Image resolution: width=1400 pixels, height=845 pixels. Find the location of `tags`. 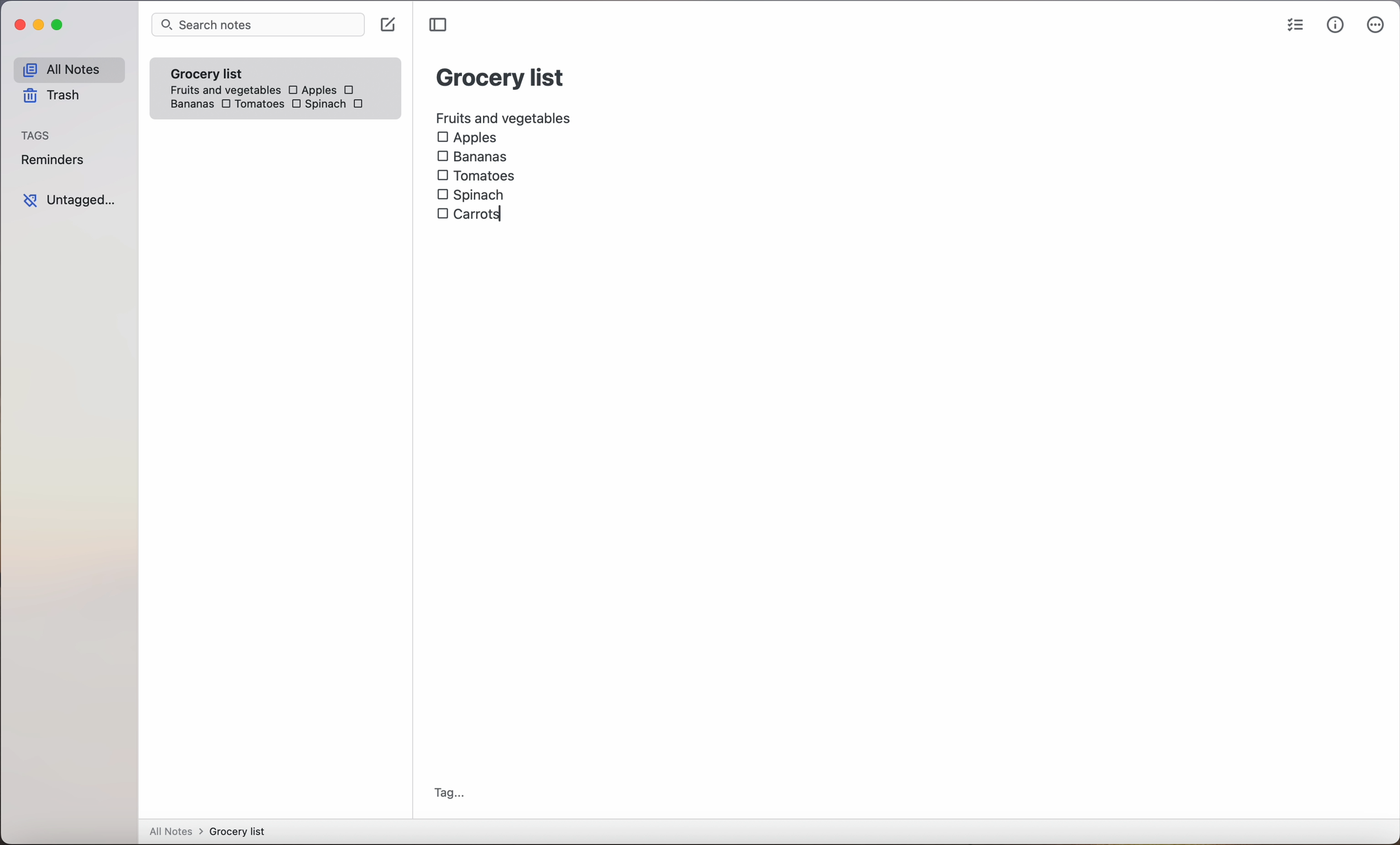

tags is located at coordinates (37, 136).